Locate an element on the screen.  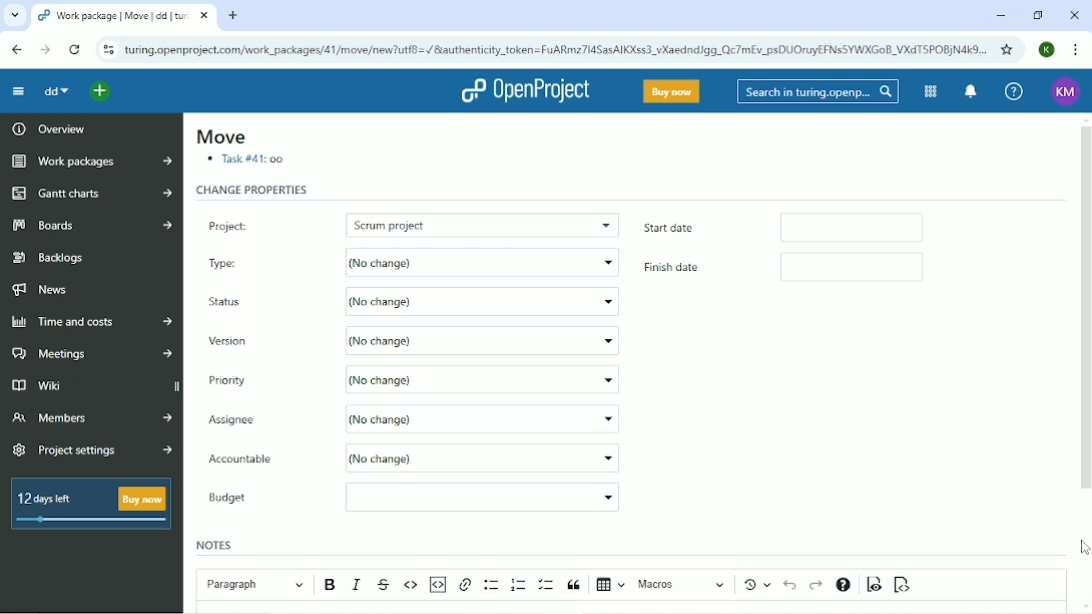
Meetings is located at coordinates (92, 354).